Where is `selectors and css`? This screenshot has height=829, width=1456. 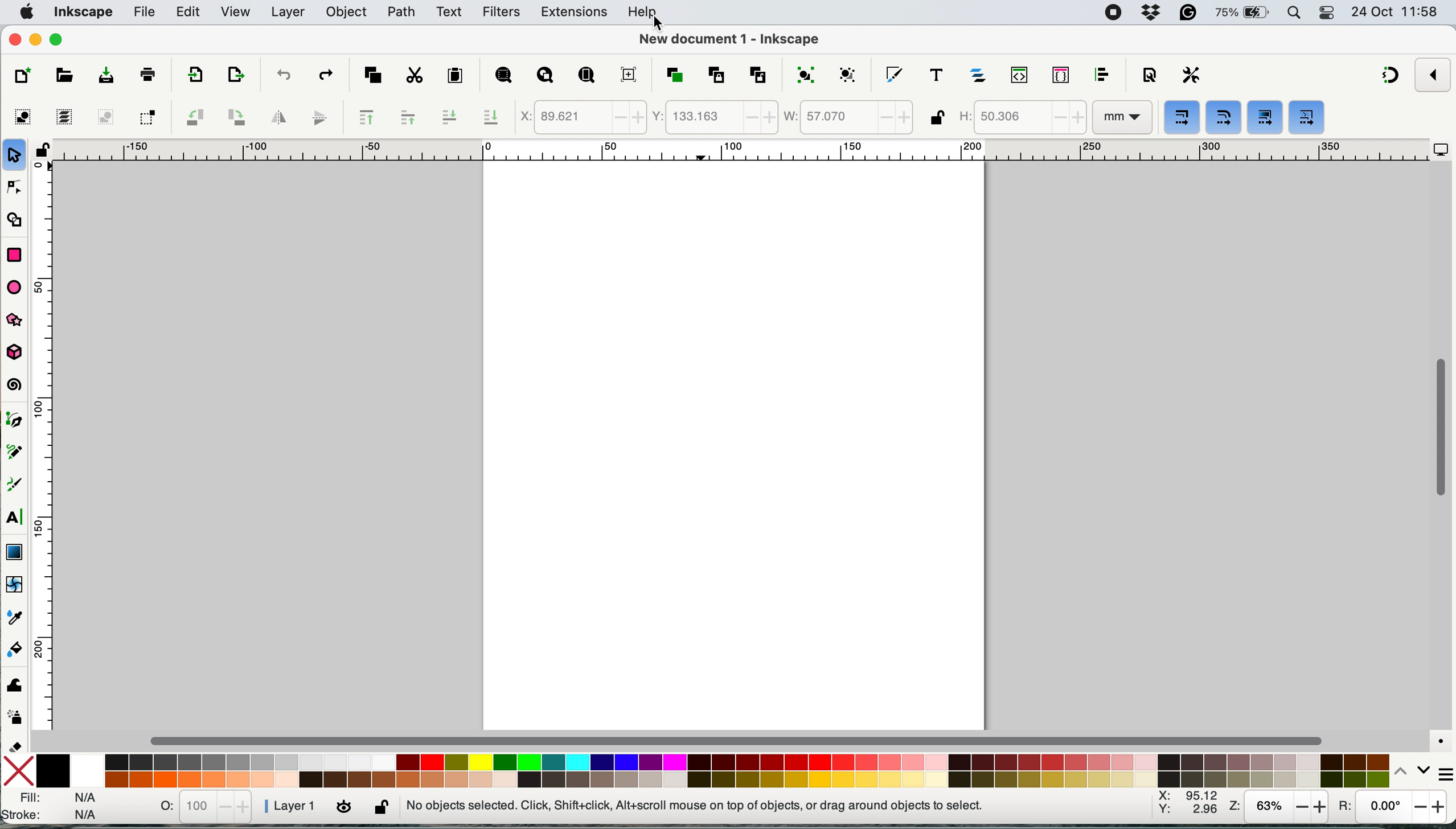 selectors and css is located at coordinates (1055, 73).